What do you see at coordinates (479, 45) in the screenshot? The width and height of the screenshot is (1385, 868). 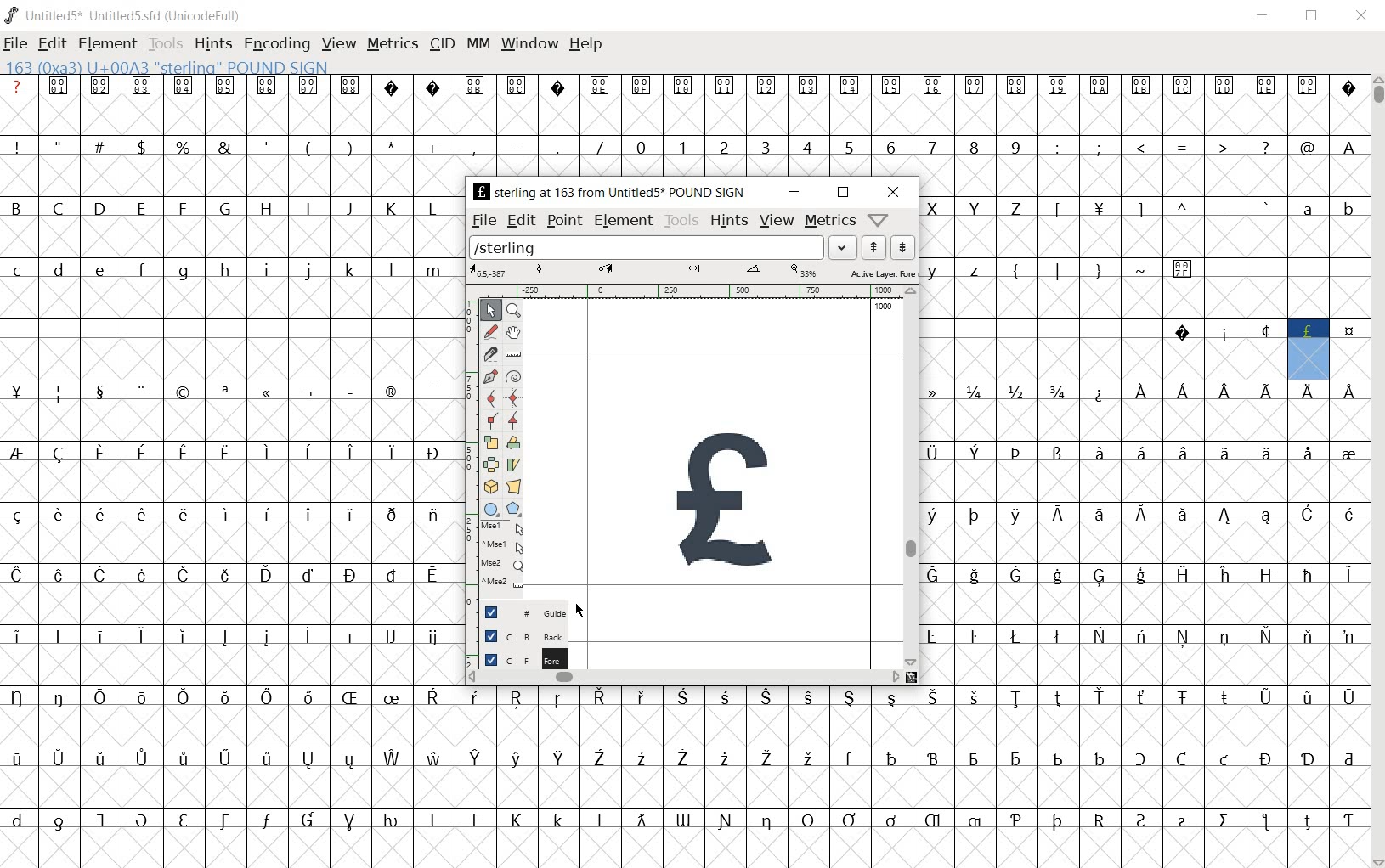 I see `MM` at bounding box center [479, 45].